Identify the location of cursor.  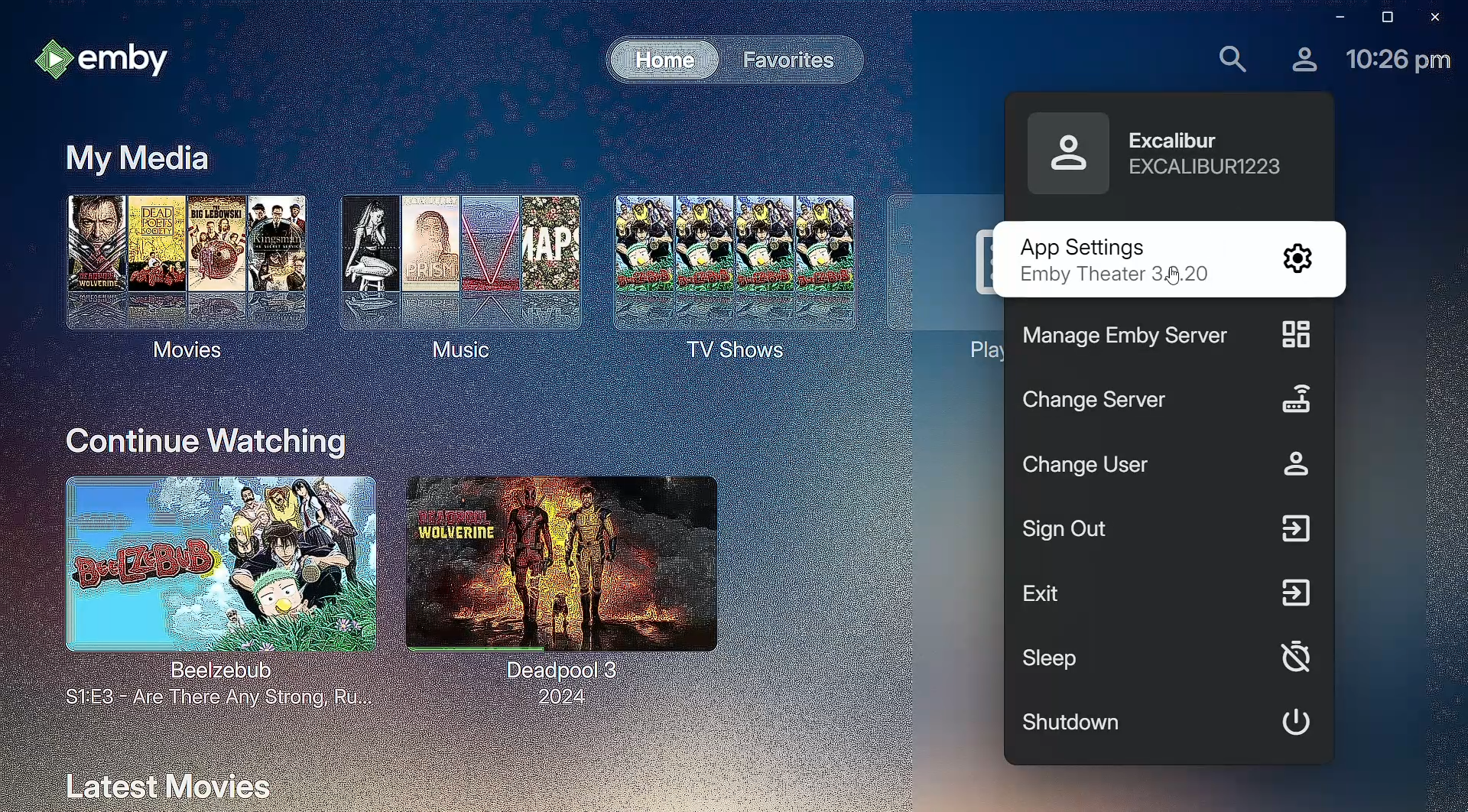
(1177, 278).